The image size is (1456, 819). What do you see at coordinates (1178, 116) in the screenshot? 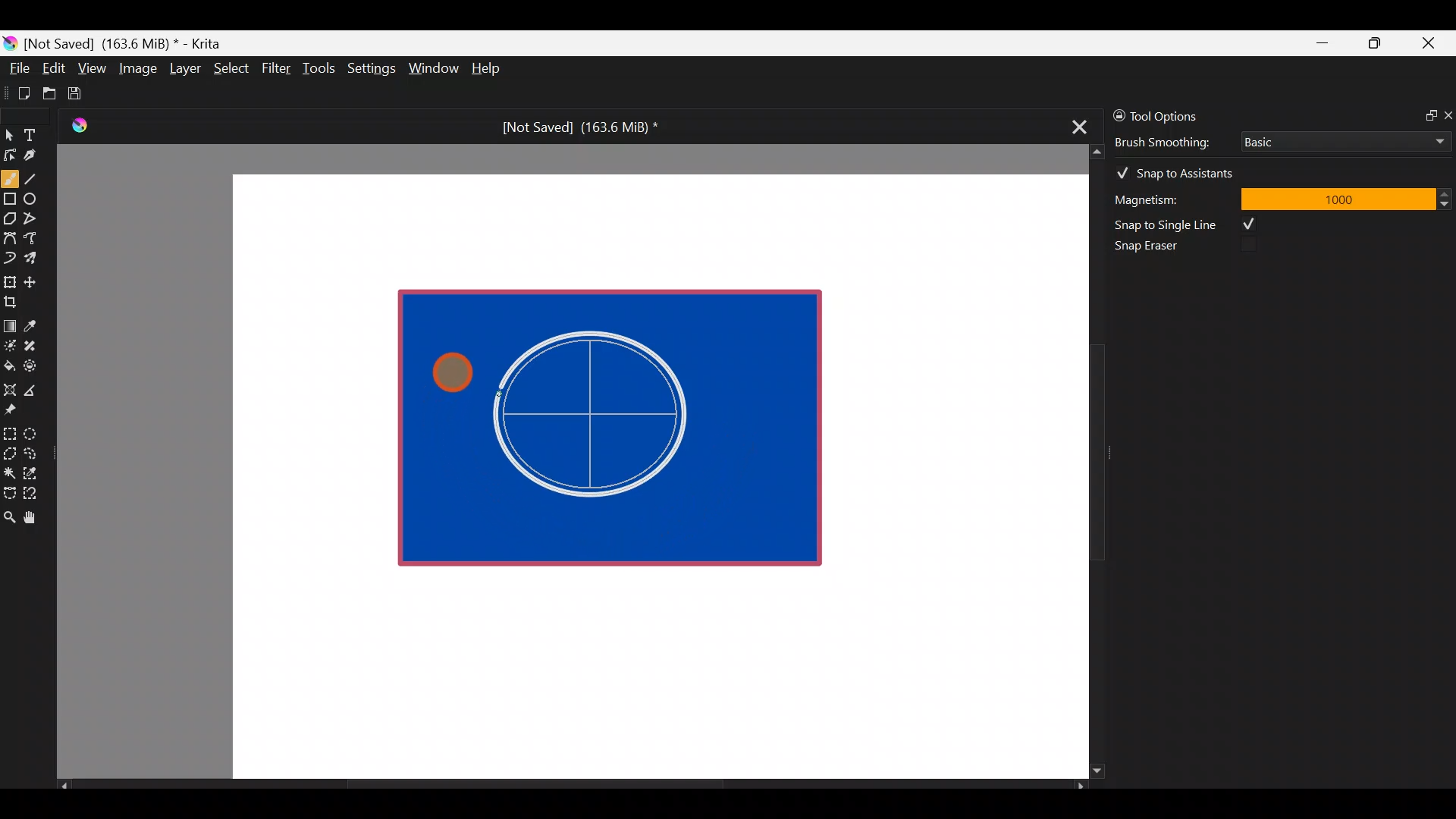
I see `Tool options` at bounding box center [1178, 116].